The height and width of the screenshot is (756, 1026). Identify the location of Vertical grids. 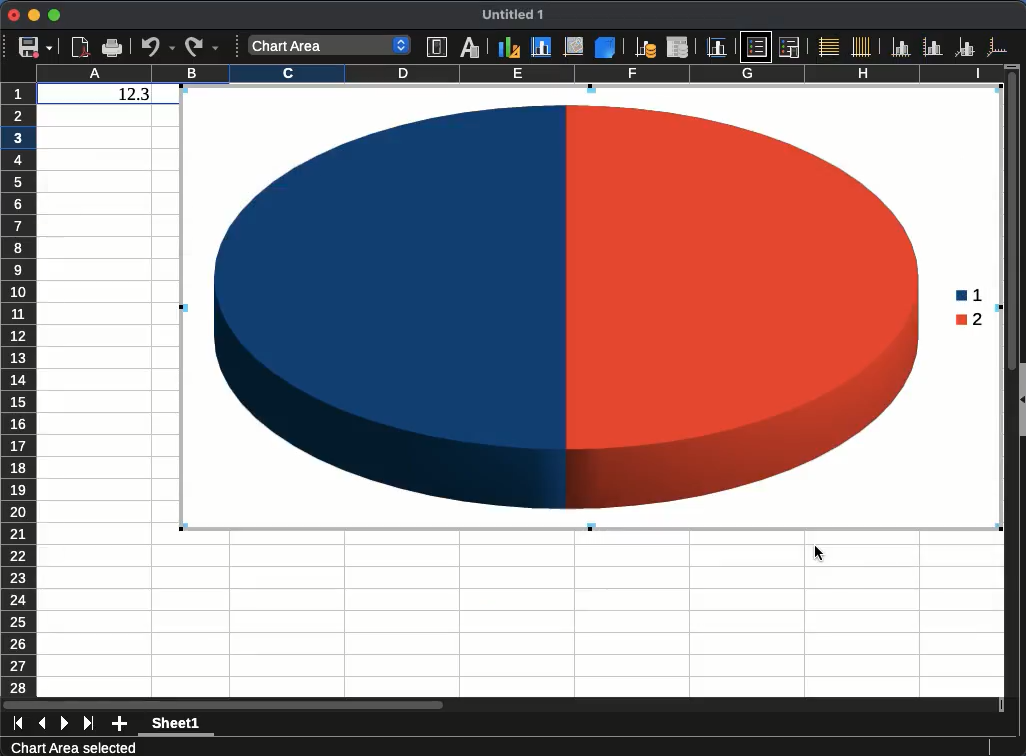
(862, 46).